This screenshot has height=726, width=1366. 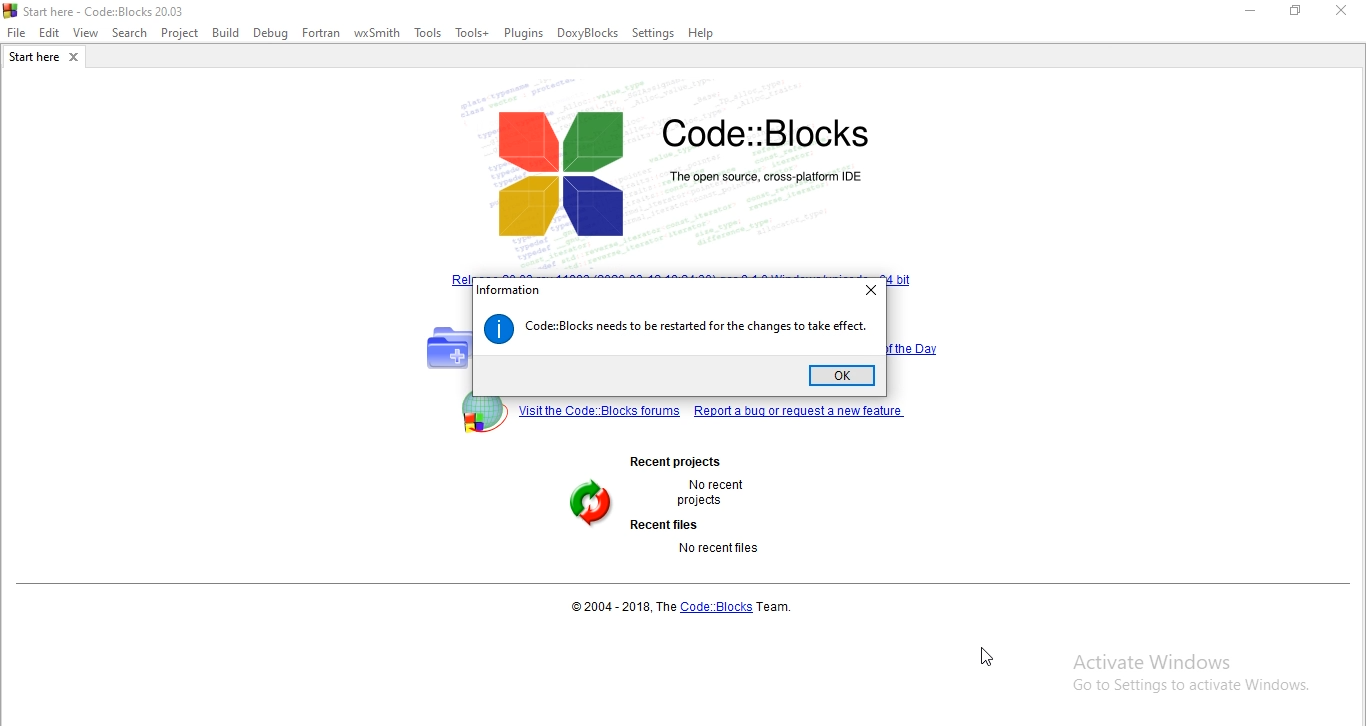 I want to click on Fortran, so click(x=322, y=33).